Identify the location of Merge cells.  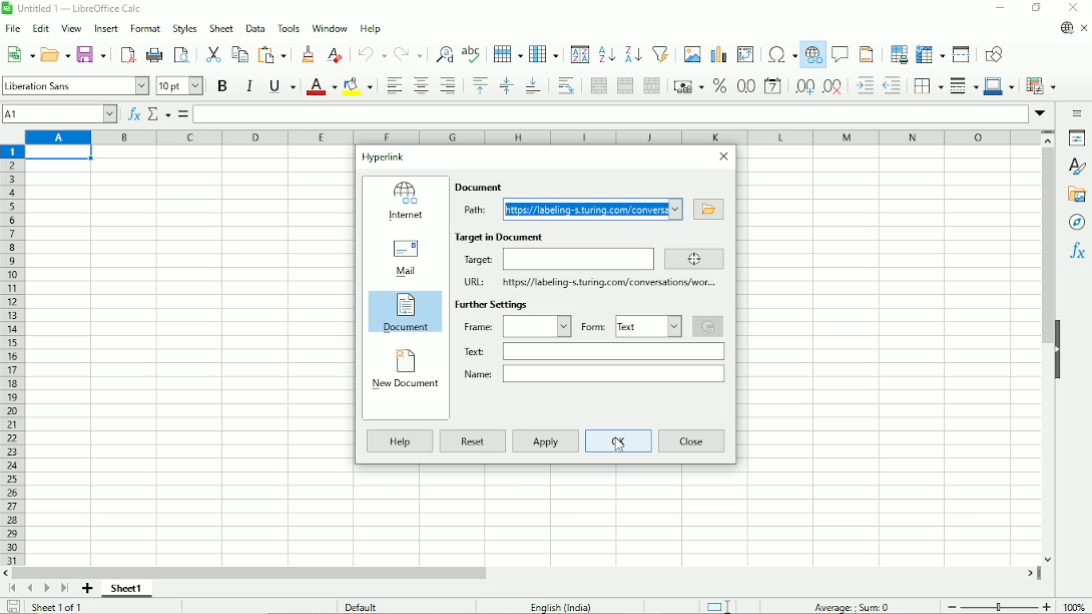
(626, 86).